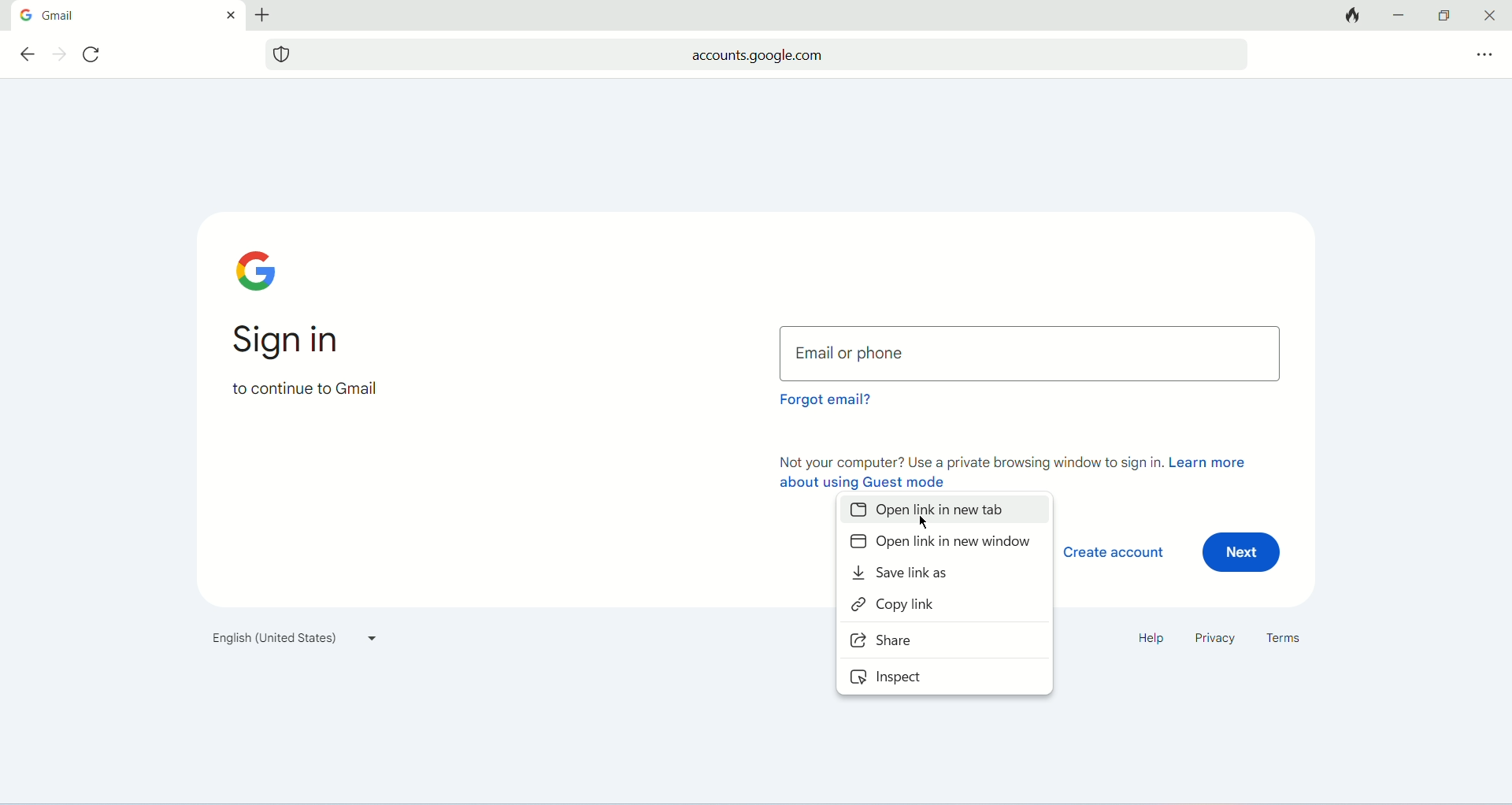  Describe the element at coordinates (124, 16) in the screenshot. I see `gmail` at that location.